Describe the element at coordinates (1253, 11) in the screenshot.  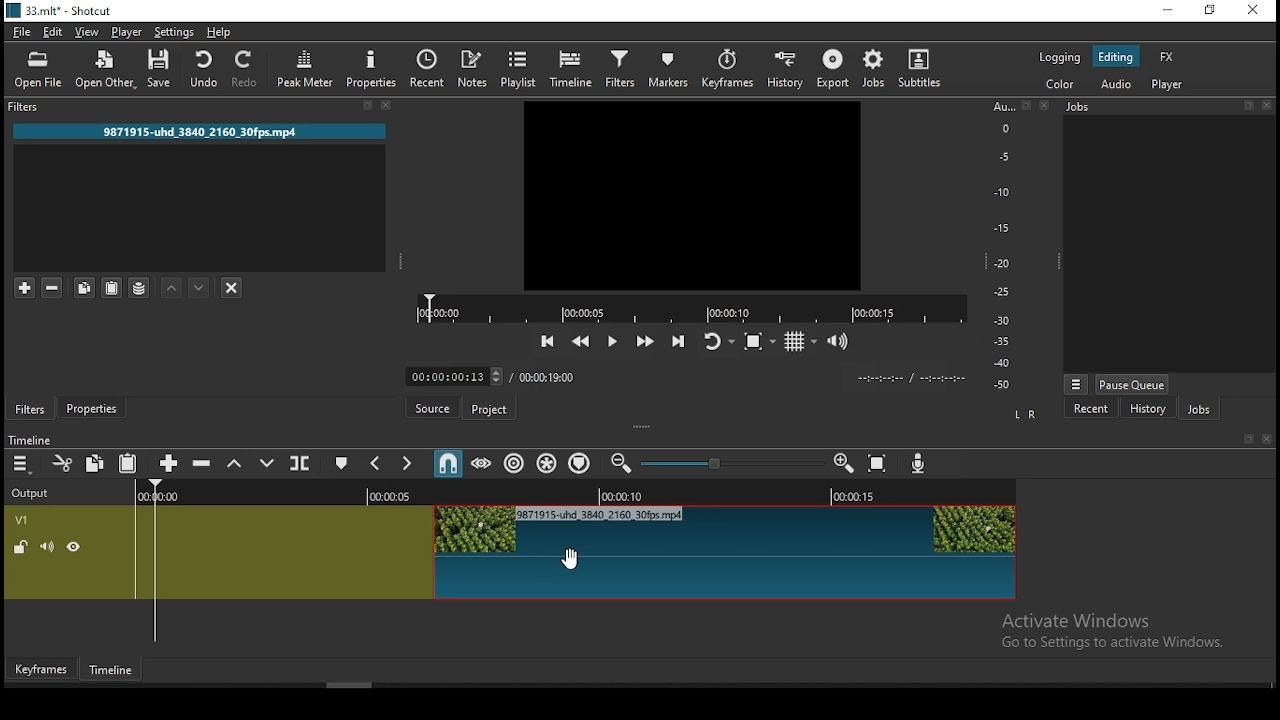
I see `close window` at that location.